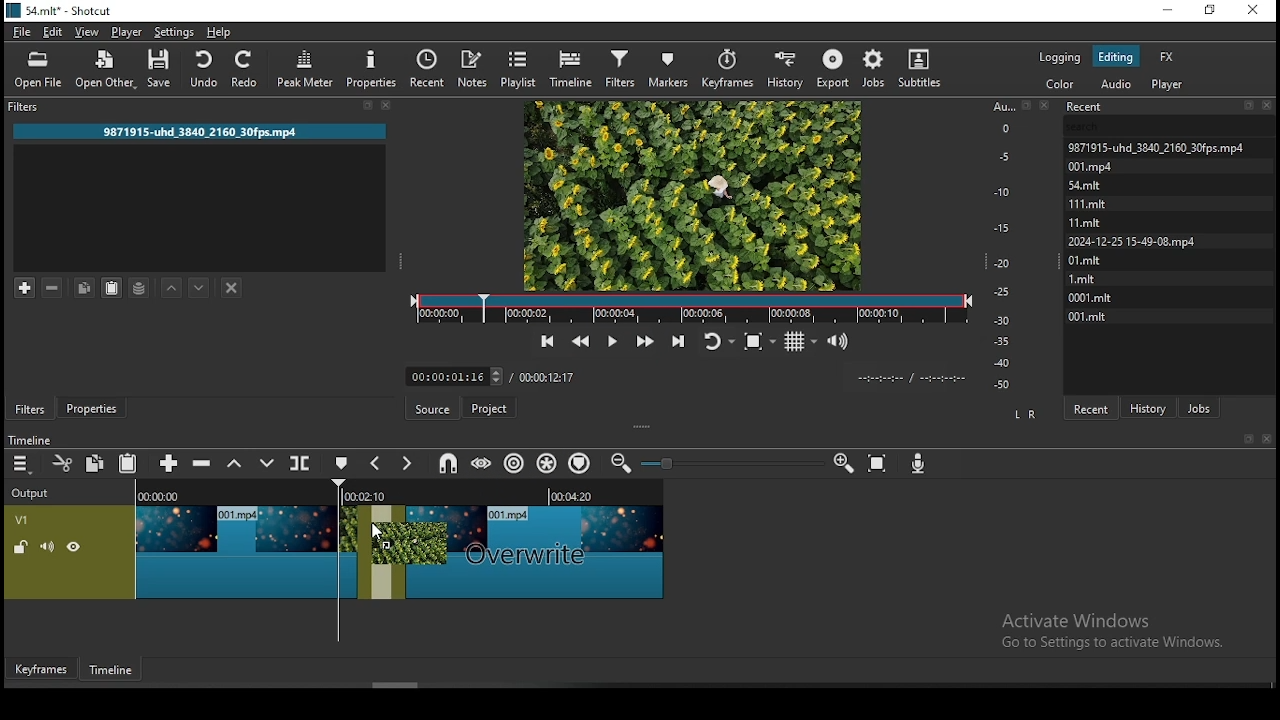  Describe the element at coordinates (250, 545) in the screenshot. I see `video track` at that location.